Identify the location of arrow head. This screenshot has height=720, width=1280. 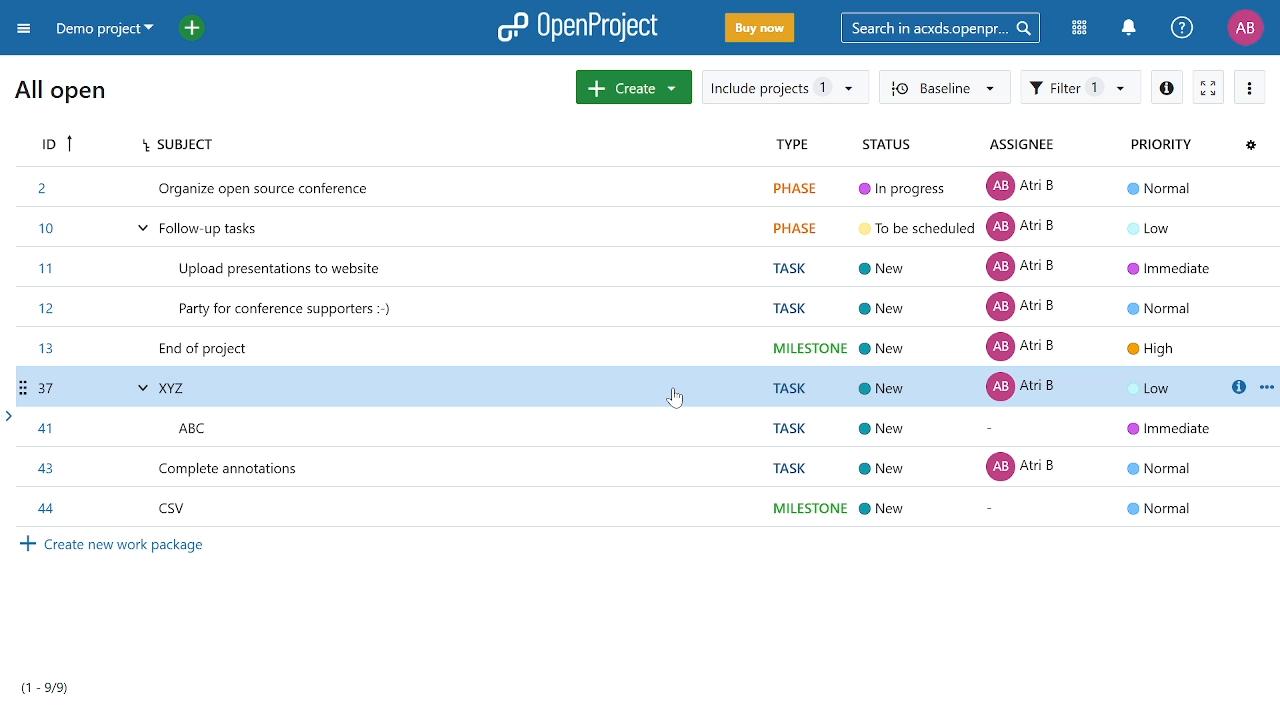
(12, 413).